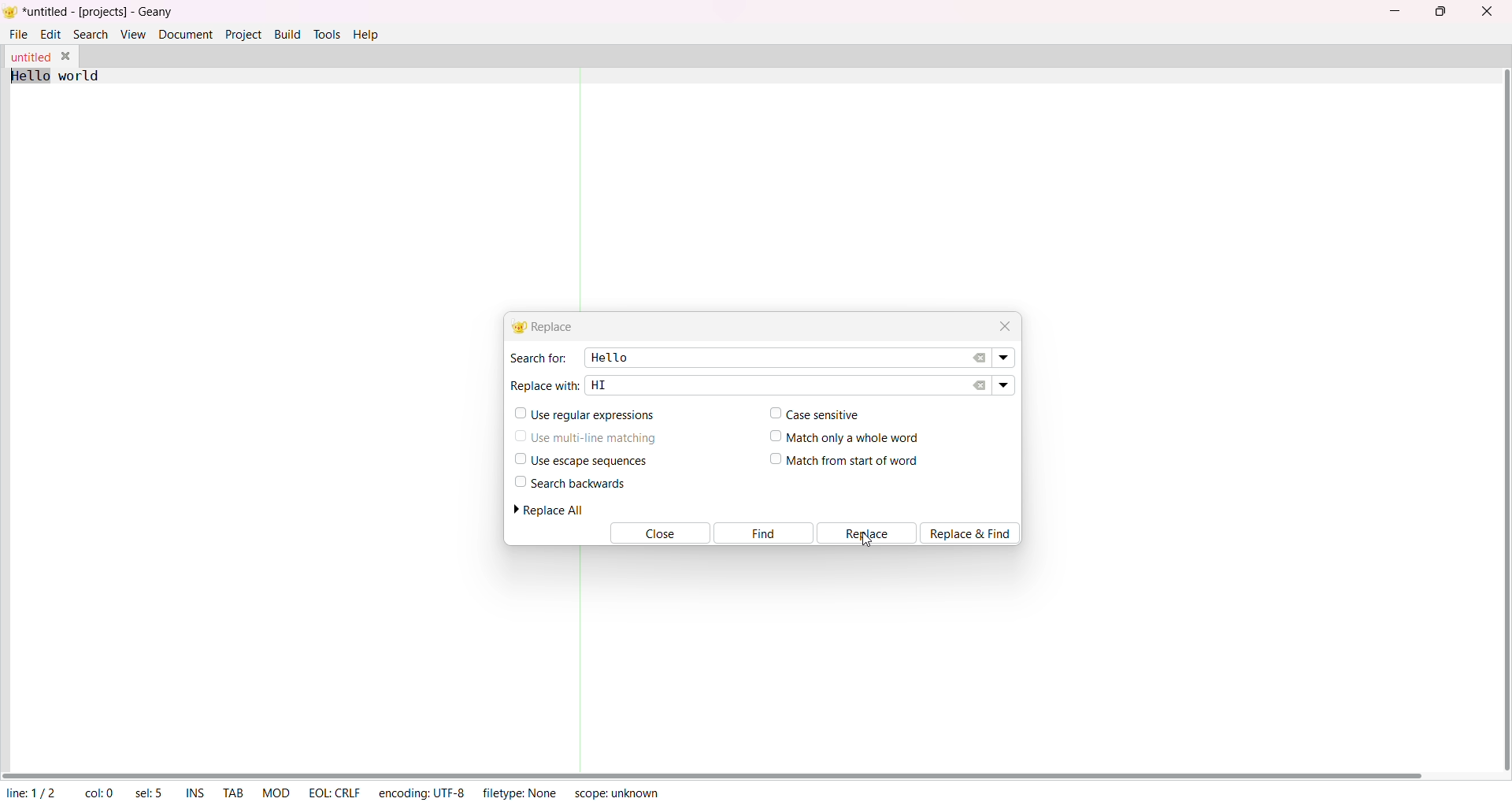 The width and height of the screenshot is (1512, 802). What do you see at coordinates (195, 794) in the screenshot?
I see `ins` at bounding box center [195, 794].